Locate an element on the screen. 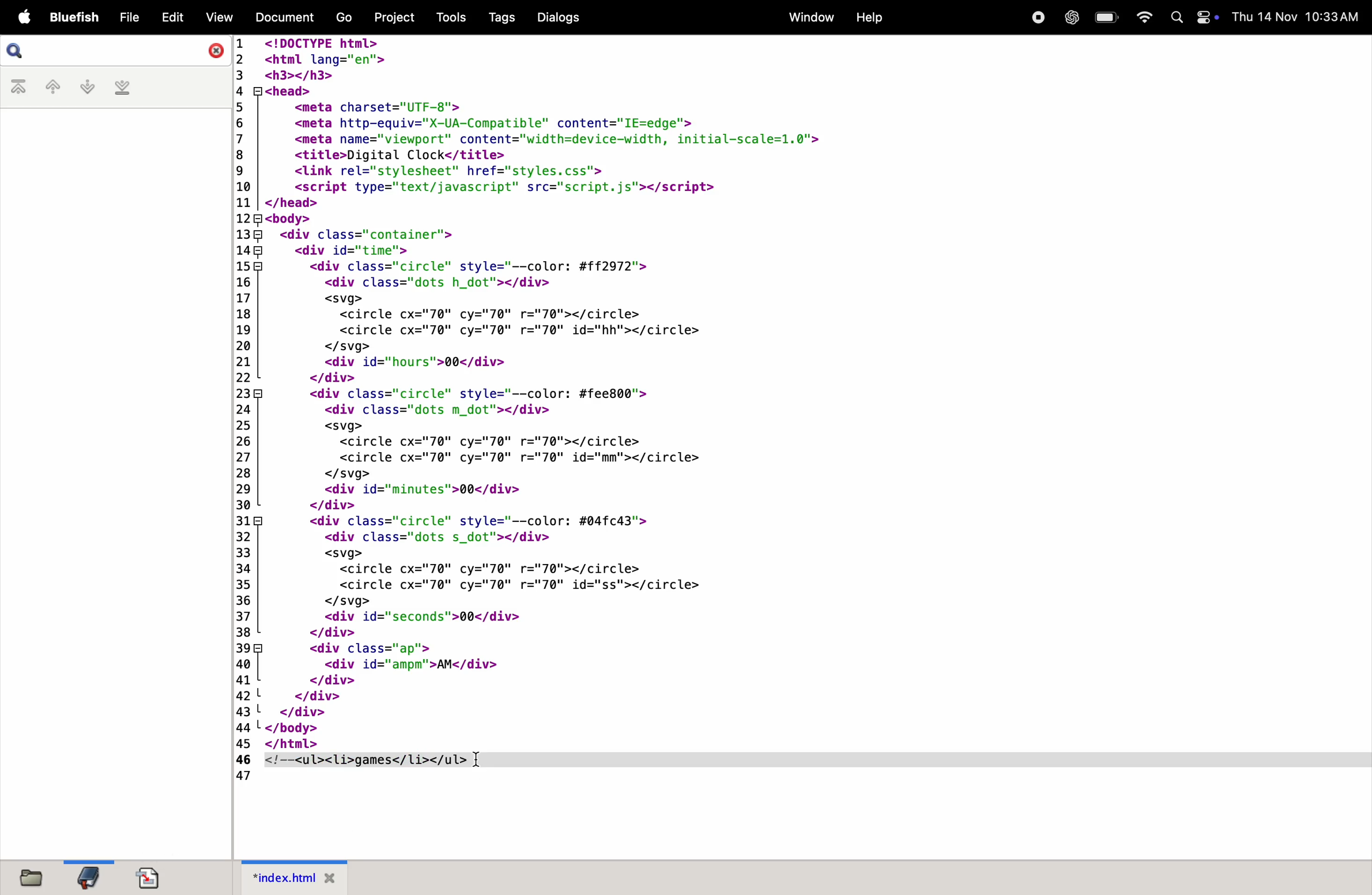 The height and width of the screenshot is (895, 1372). next bookmark is located at coordinates (86, 87).